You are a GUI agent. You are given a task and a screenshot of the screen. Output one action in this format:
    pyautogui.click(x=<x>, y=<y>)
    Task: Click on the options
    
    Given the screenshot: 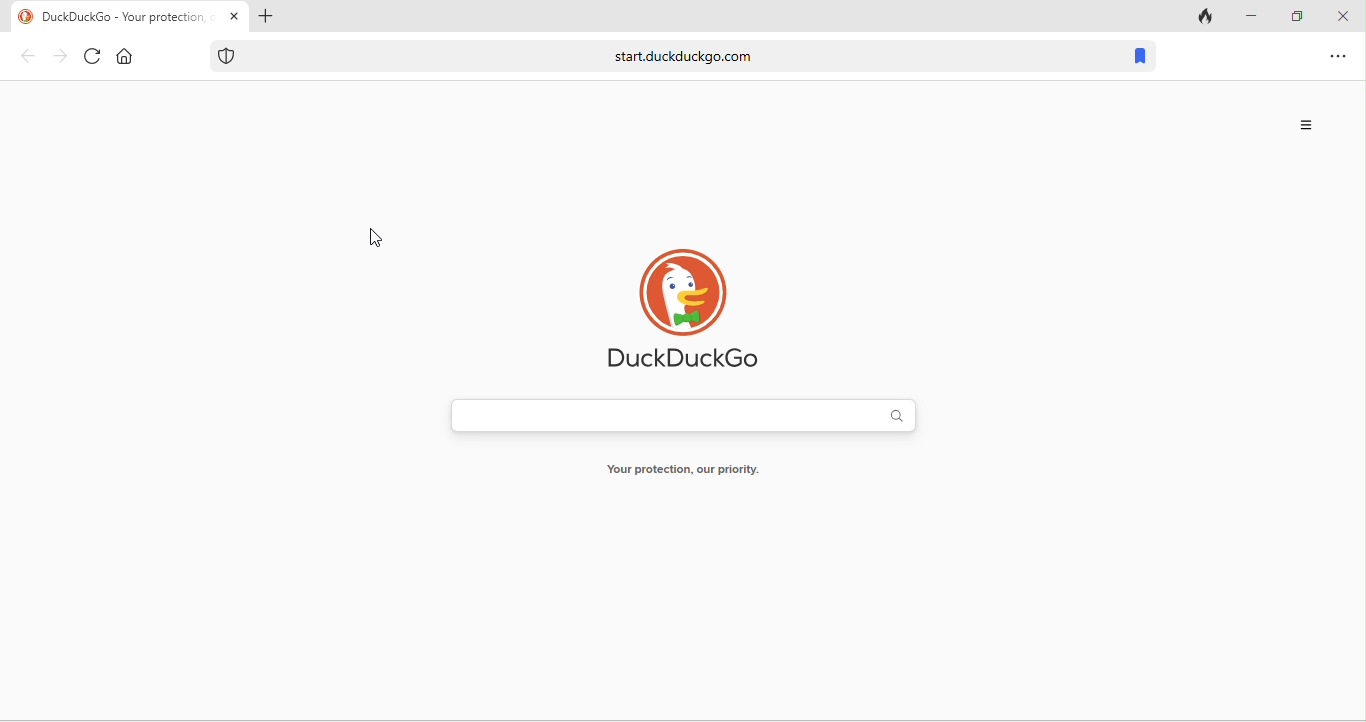 What is the action you would take?
    pyautogui.click(x=1303, y=127)
    